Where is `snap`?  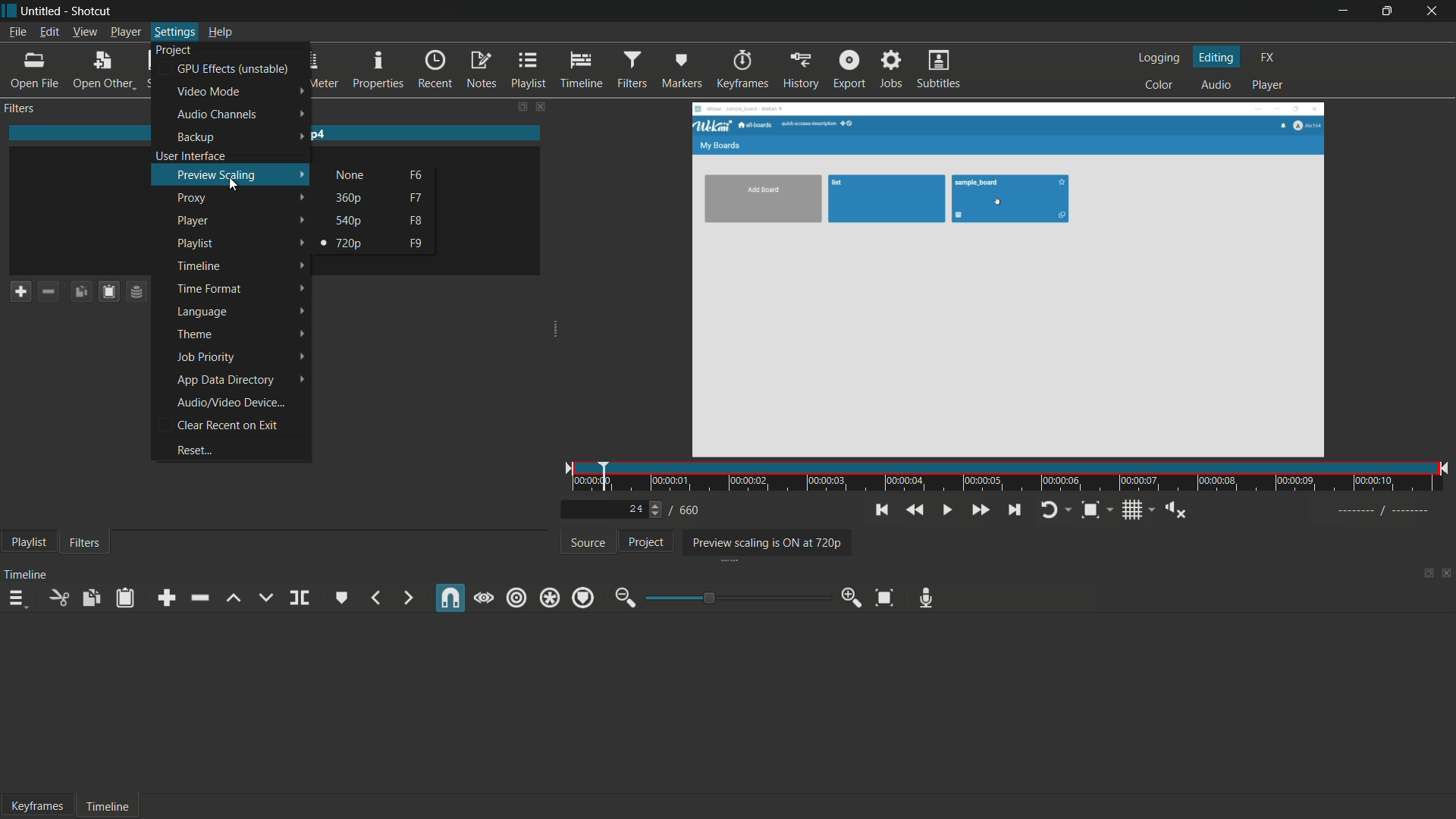
snap is located at coordinates (450, 600).